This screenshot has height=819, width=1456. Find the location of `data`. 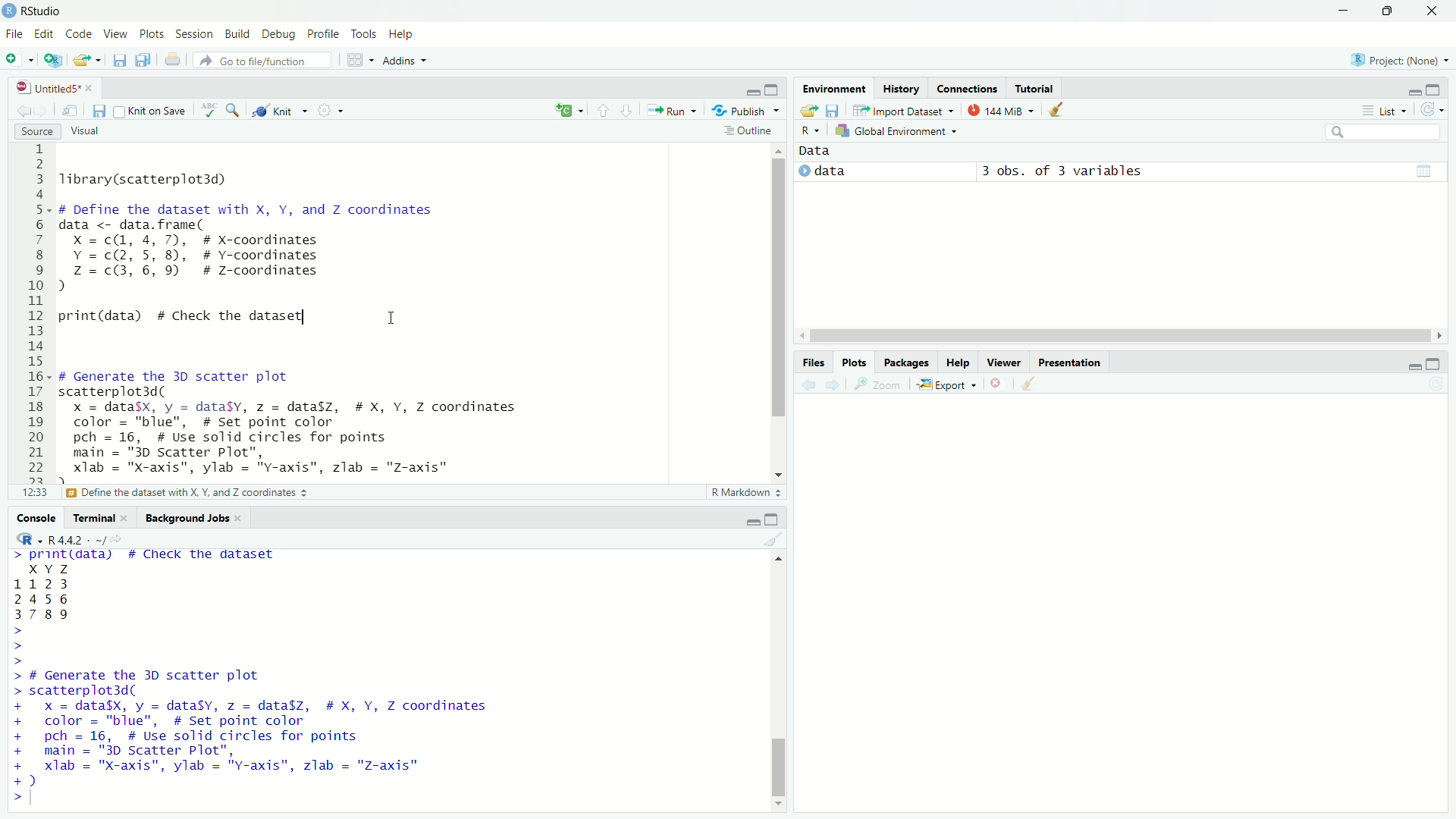

data is located at coordinates (836, 173).